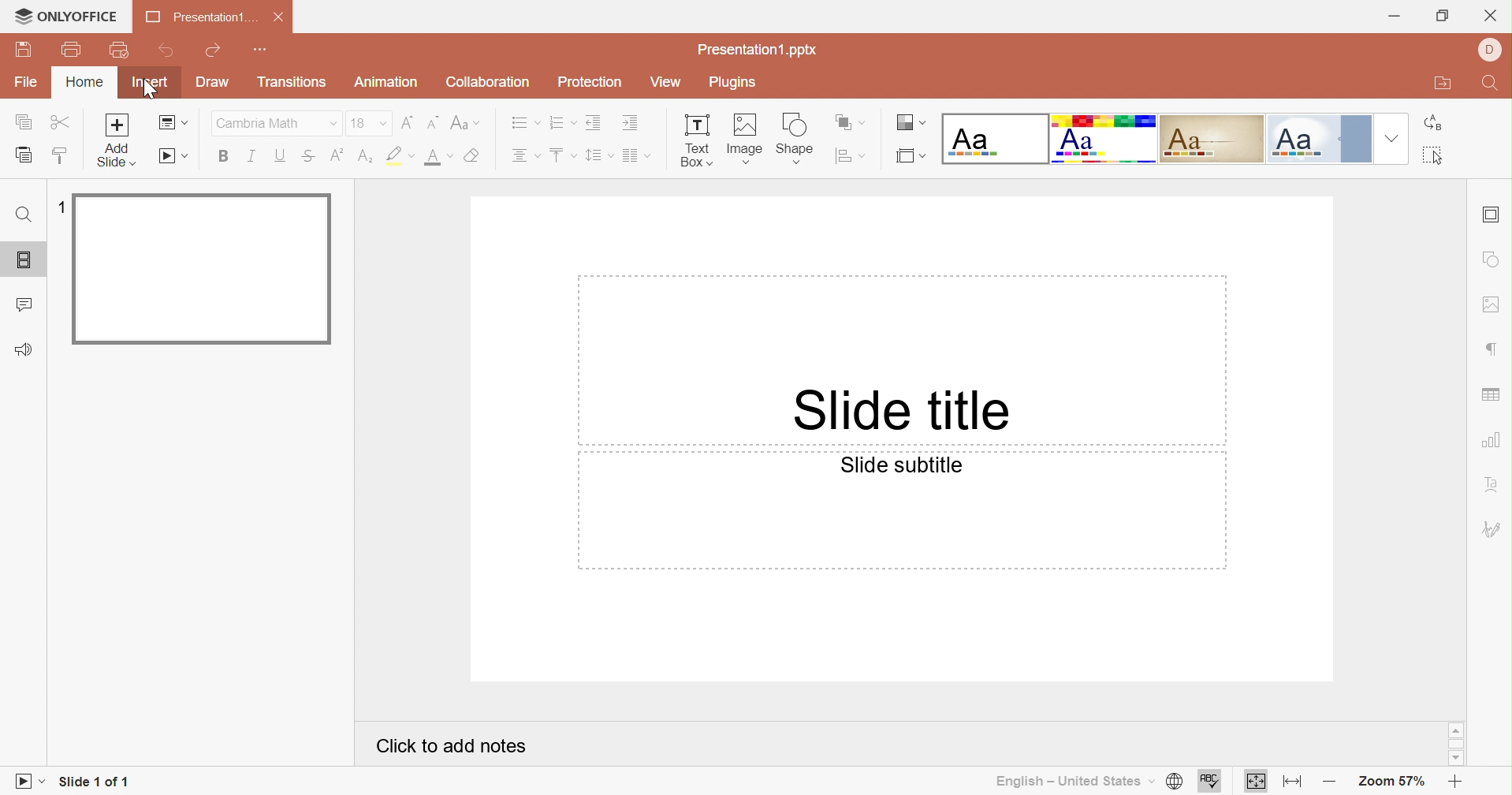  I want to click on Presentation.pptx, so click(762, 50).